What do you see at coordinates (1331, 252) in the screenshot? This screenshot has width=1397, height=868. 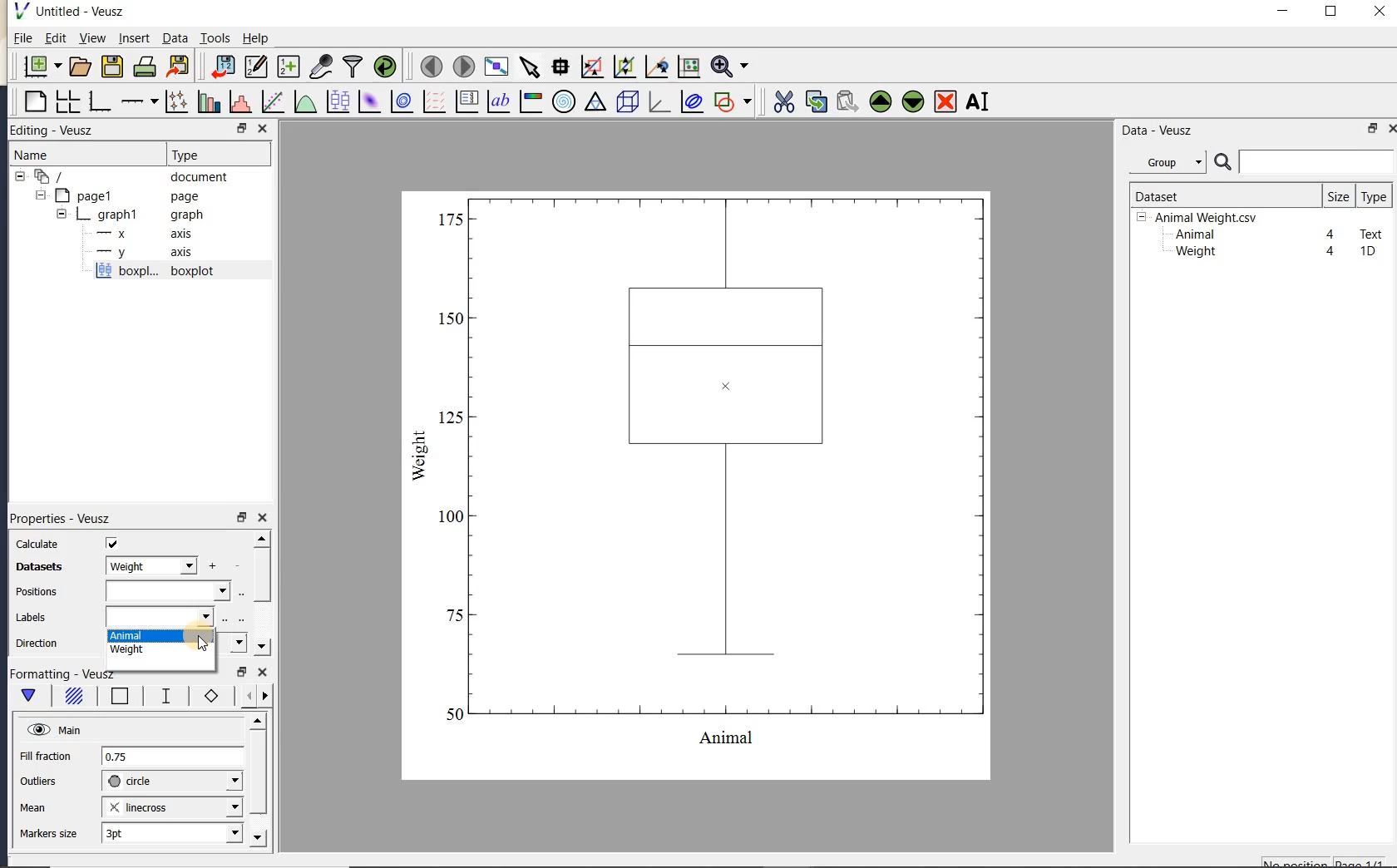 I see `4` at bounding box center [1331, 252].